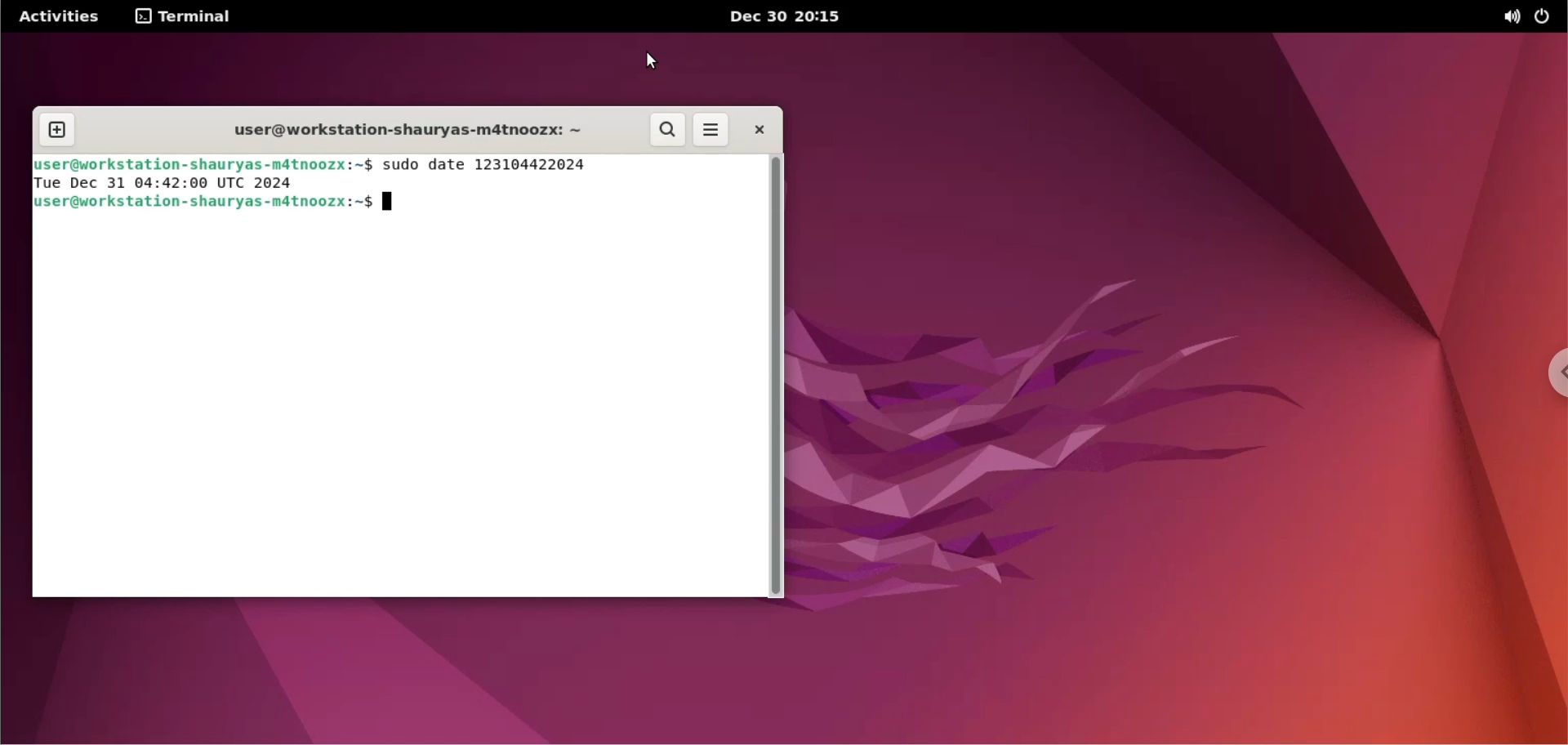 Image resolution: width=1568 pixels, height=745 pixels. What do you see at coordinates (410, 129) in the screenshot?
I see `workstation name` at bounding box center [410, 129].